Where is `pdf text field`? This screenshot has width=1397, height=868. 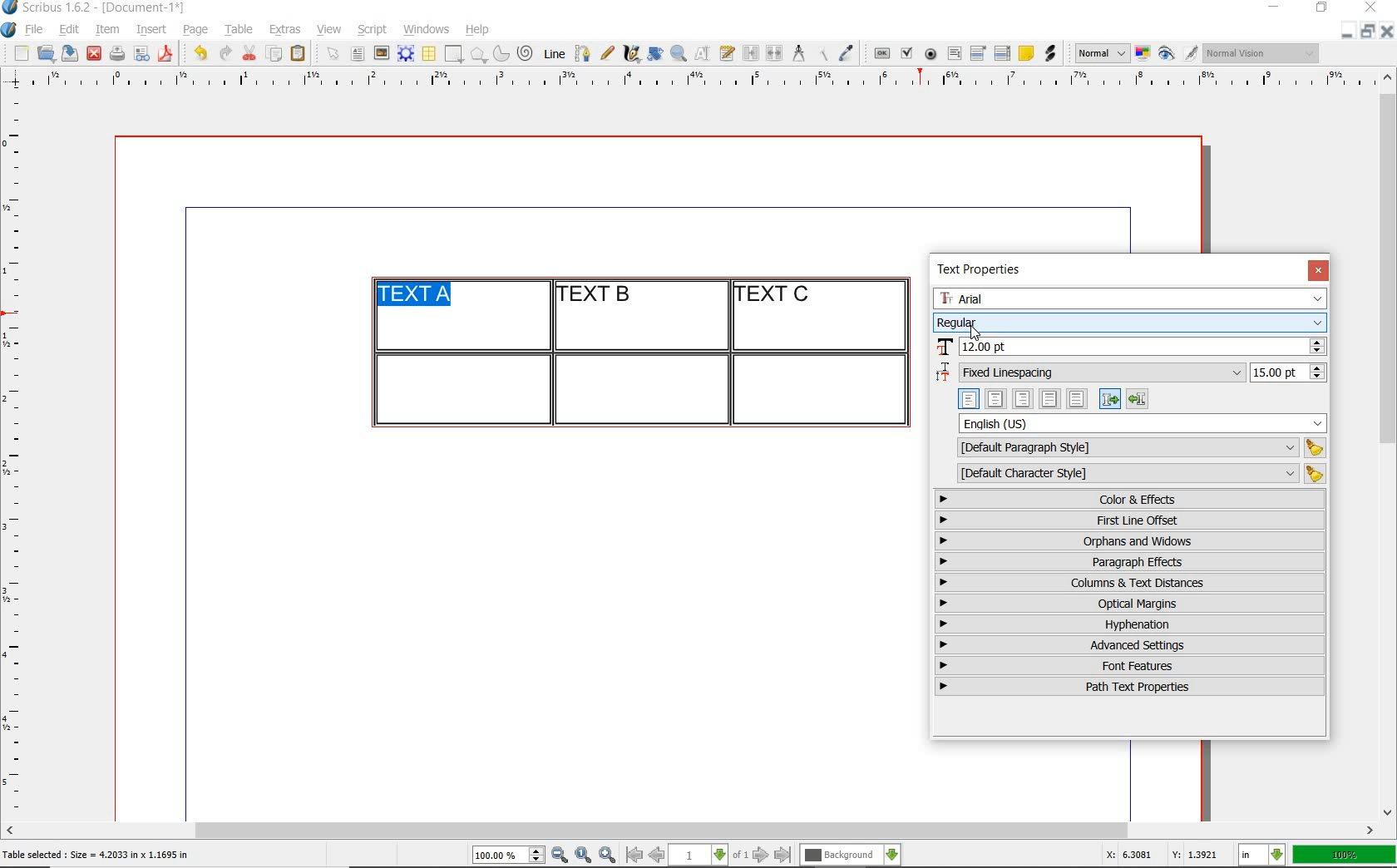 pdf text field is located at coordinates (954, 55).